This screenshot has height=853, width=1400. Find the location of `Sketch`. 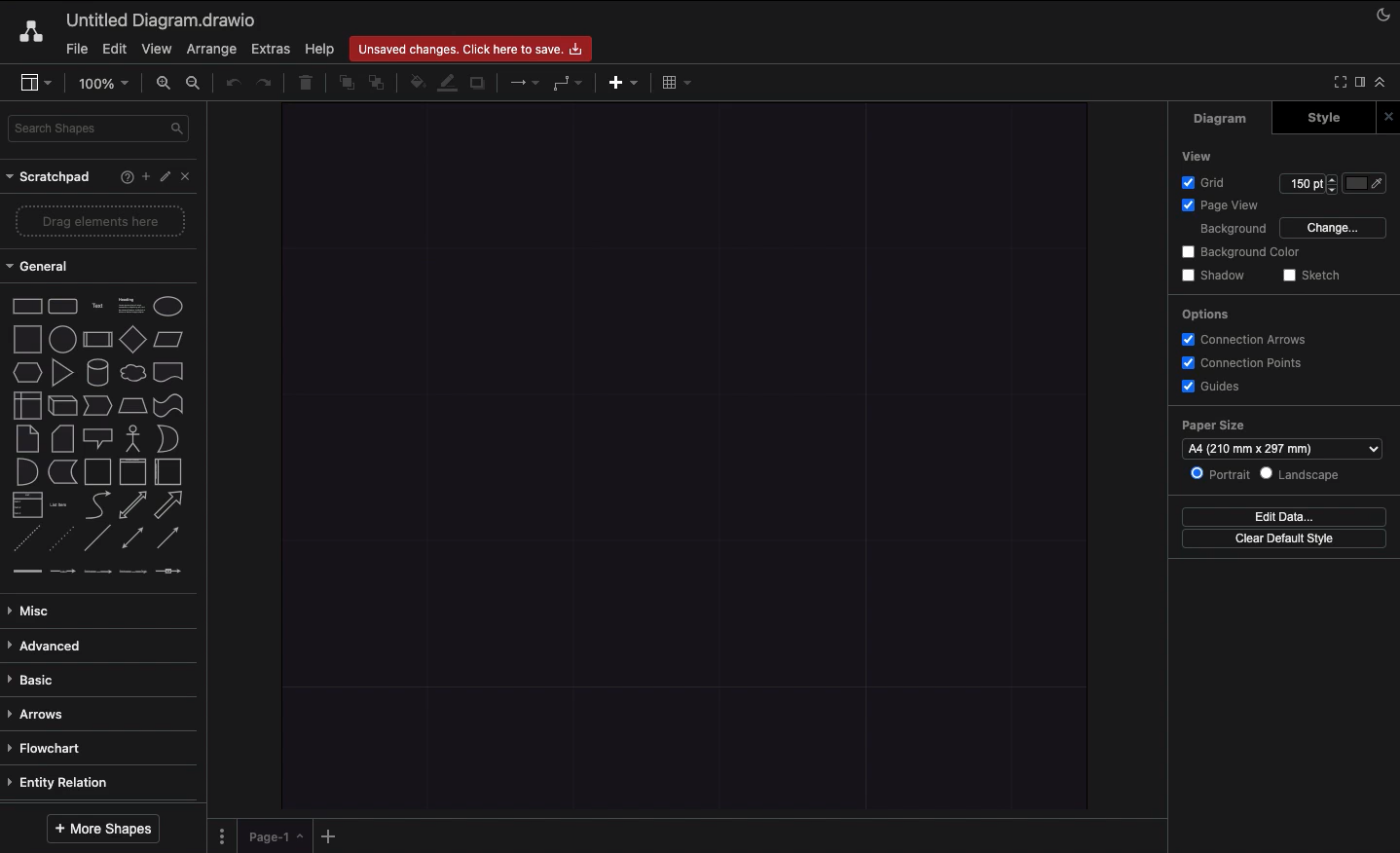

Sketch is located at coordinates (1316, 276).